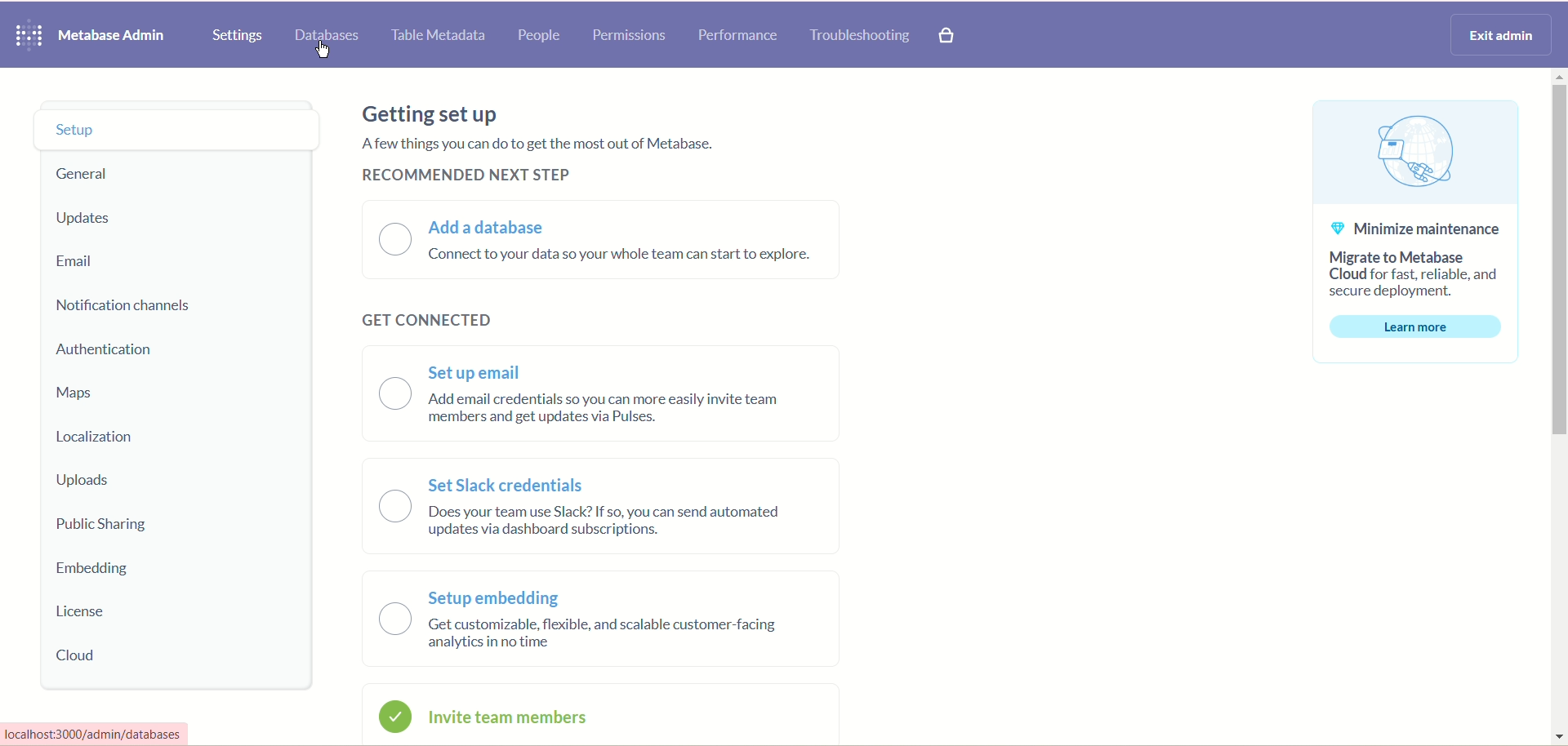  I want to click on set up email, so click(617, 398).